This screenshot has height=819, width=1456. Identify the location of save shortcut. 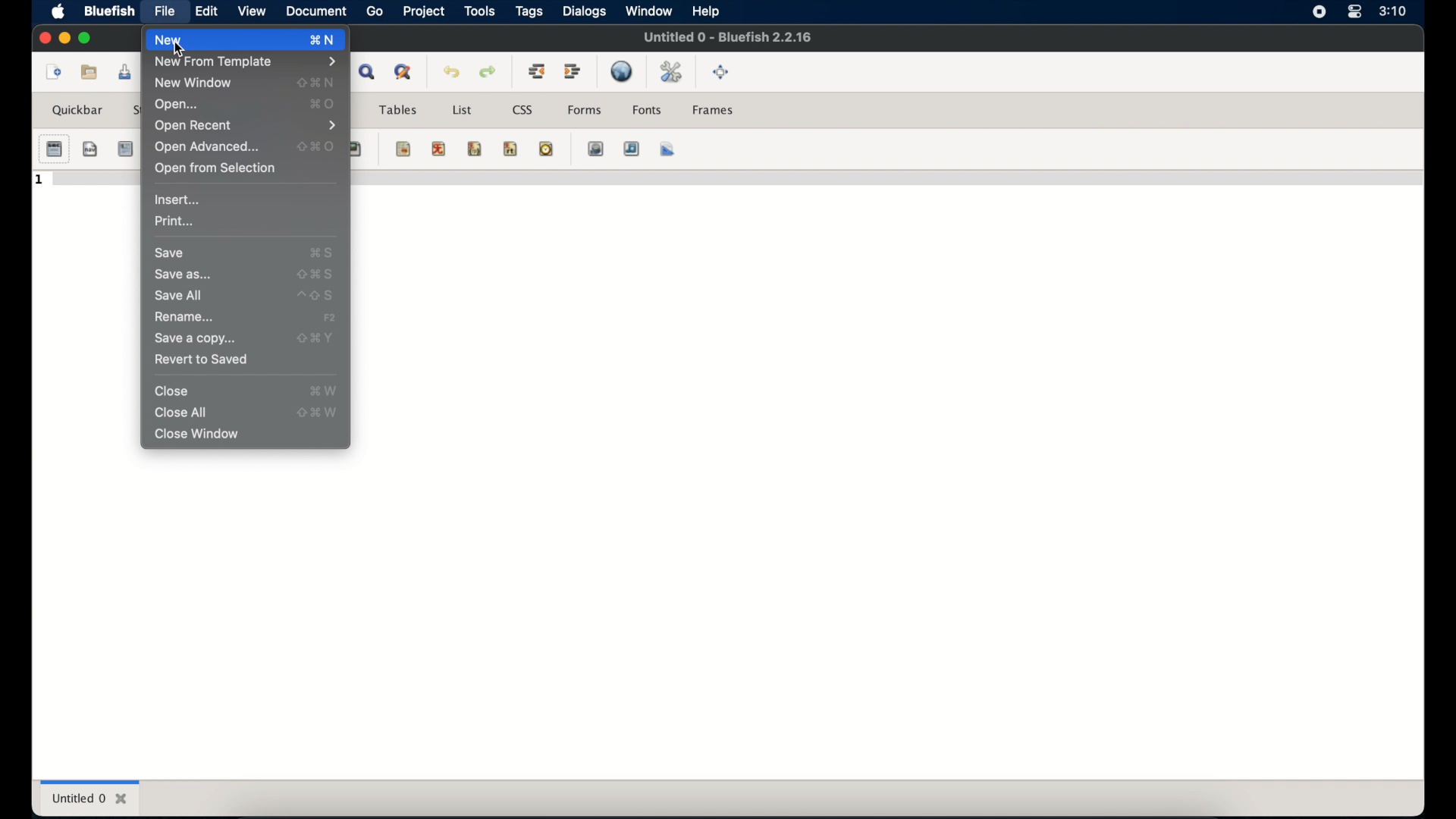
(322, 253).